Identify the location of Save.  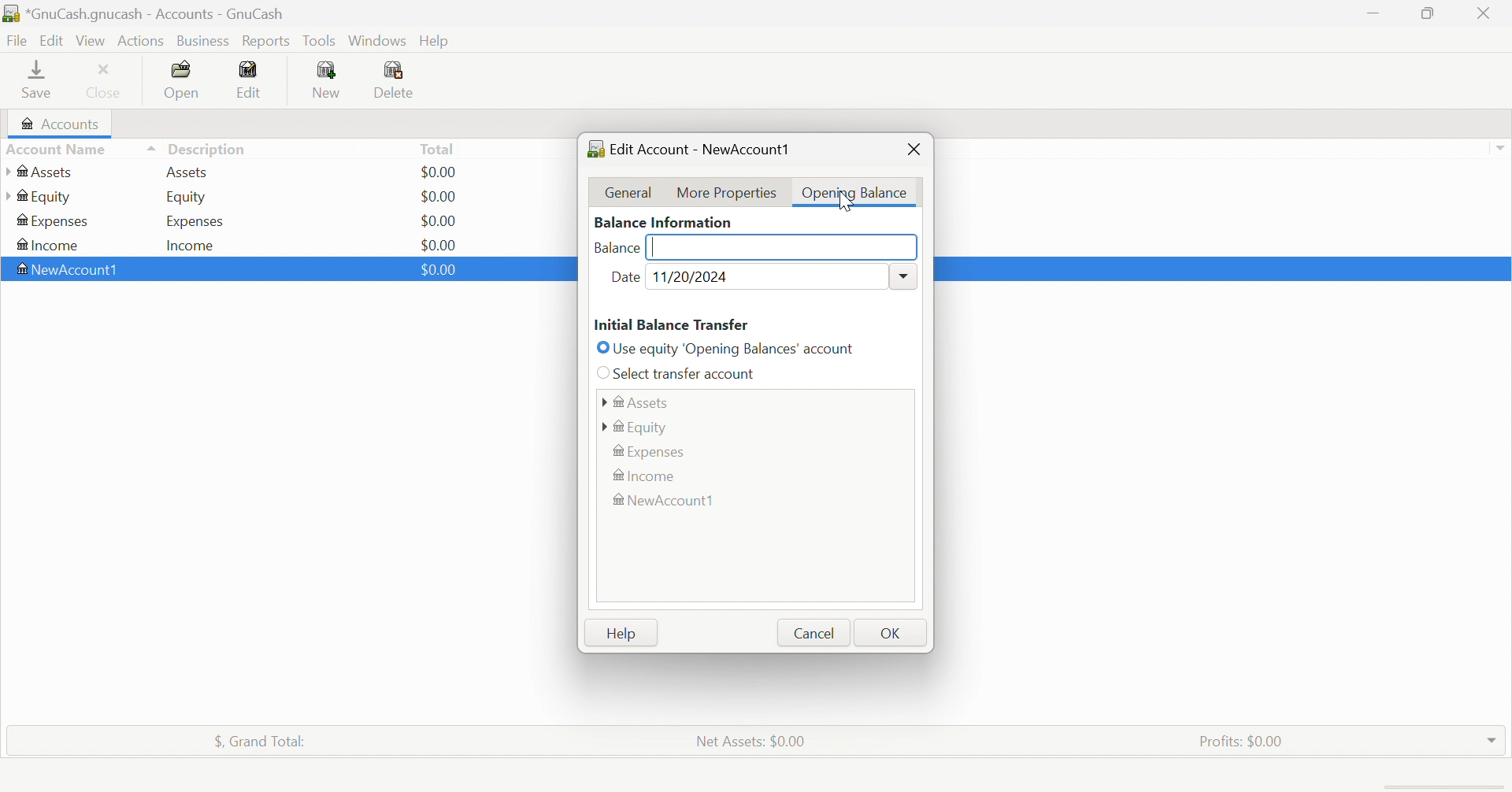
(39, 81).